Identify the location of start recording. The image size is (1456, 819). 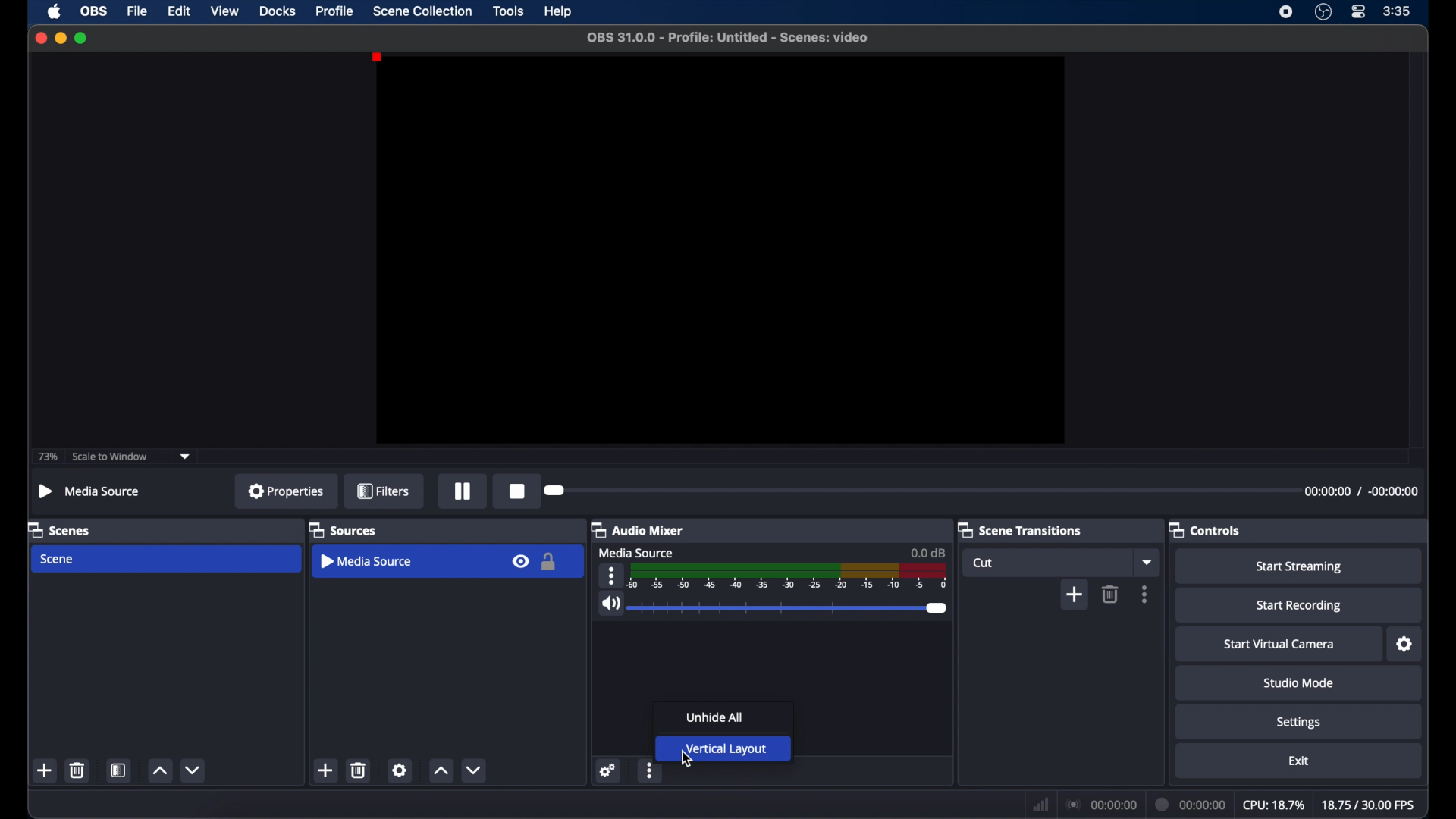
(1300, 607).